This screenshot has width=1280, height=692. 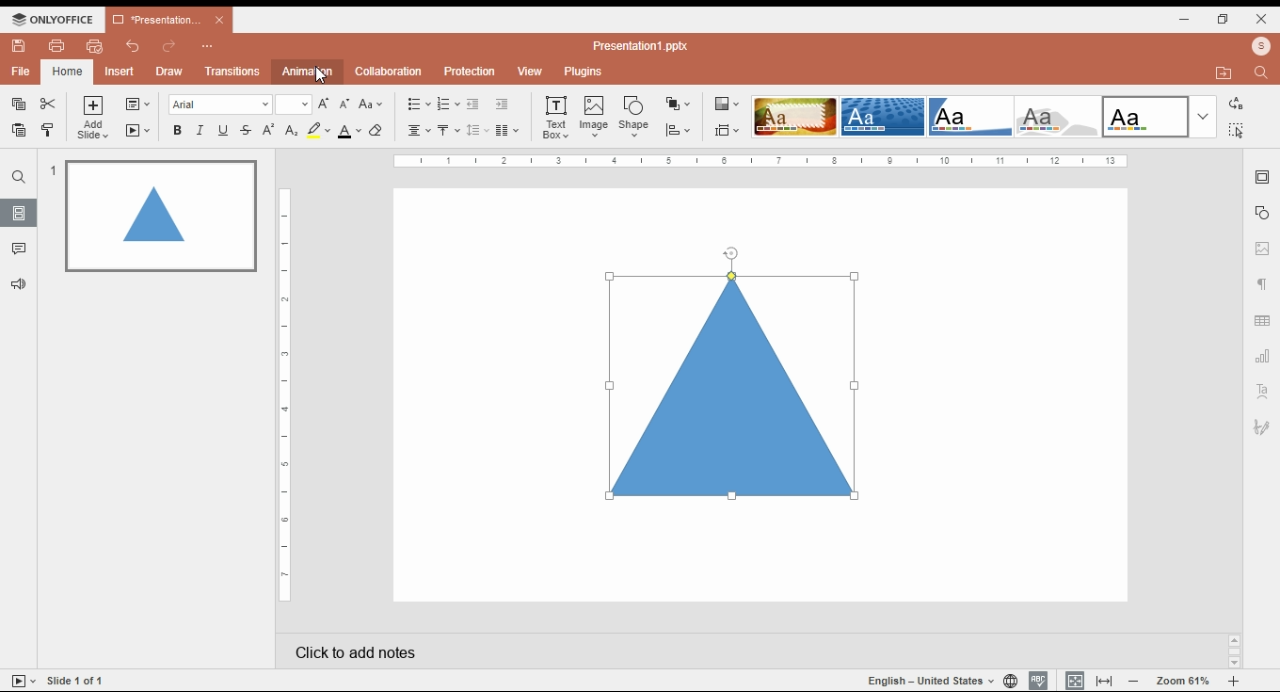 What do you see at coordinates (52, 19) in the screenshot?
I see `icon and menu button` at bounding box center [52, 19].